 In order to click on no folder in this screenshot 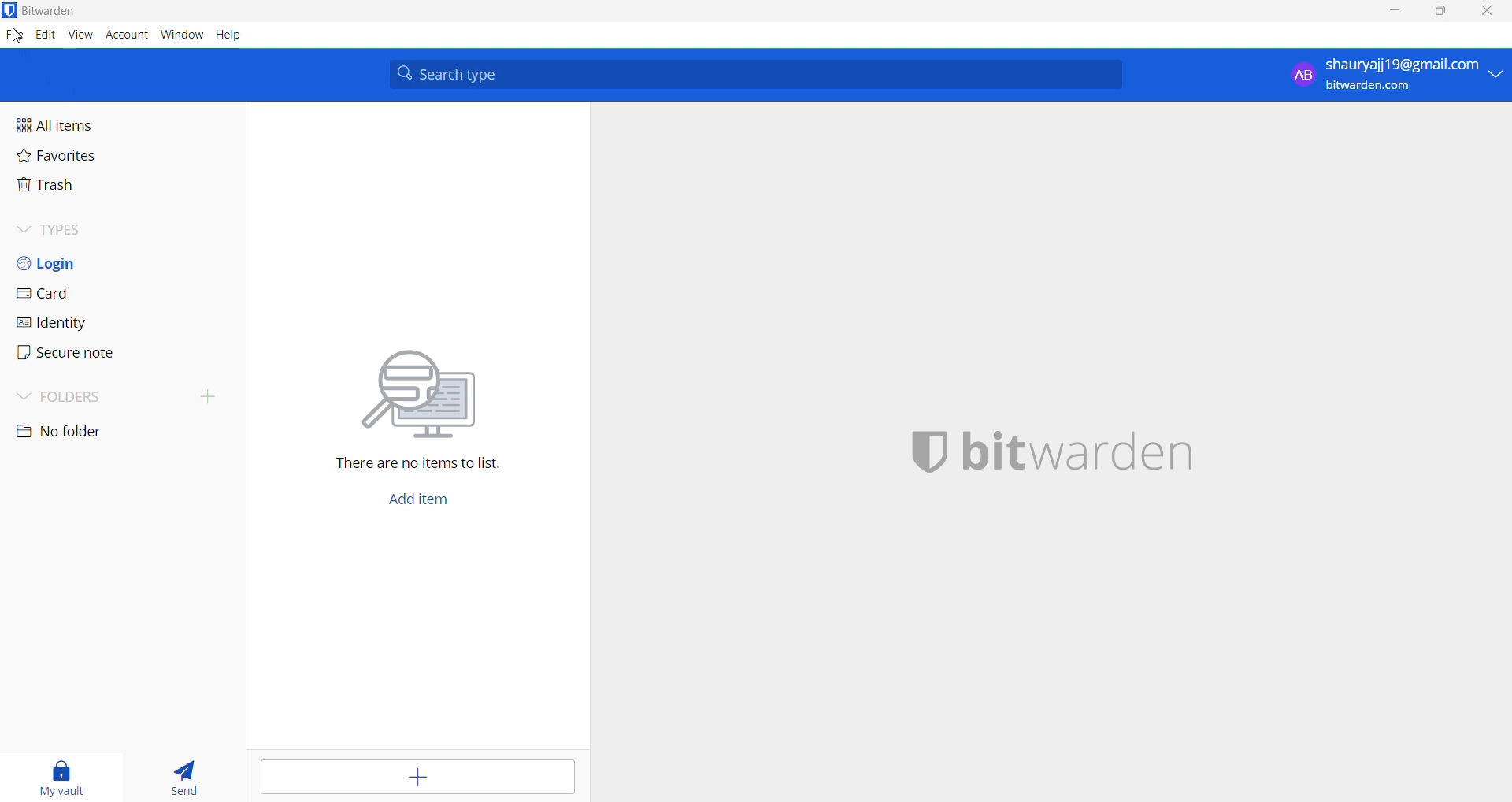, I will do `click(117, 434)`.